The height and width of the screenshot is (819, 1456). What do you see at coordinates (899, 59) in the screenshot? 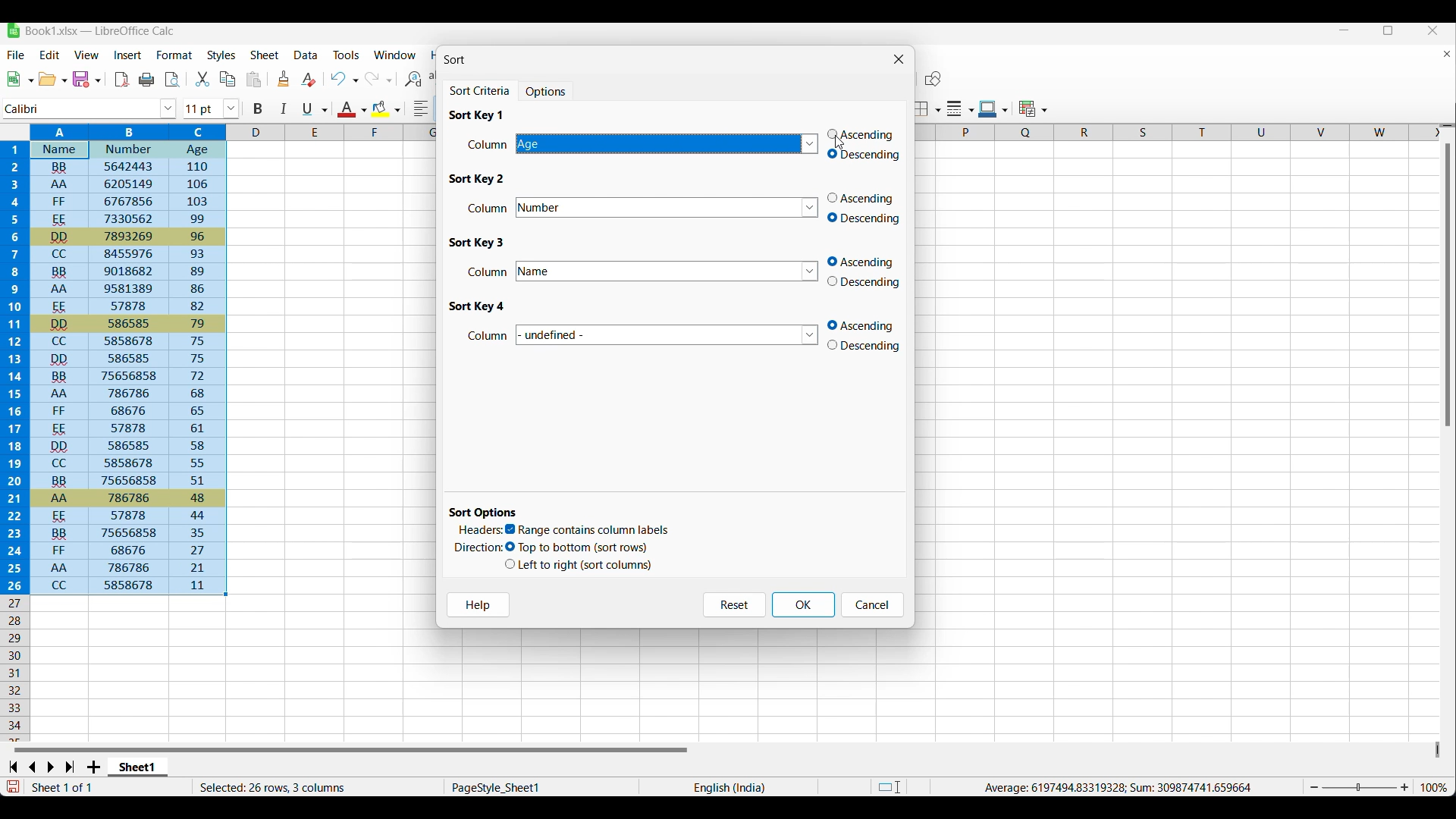
I see `Close window` at bounding box center [899, 59].